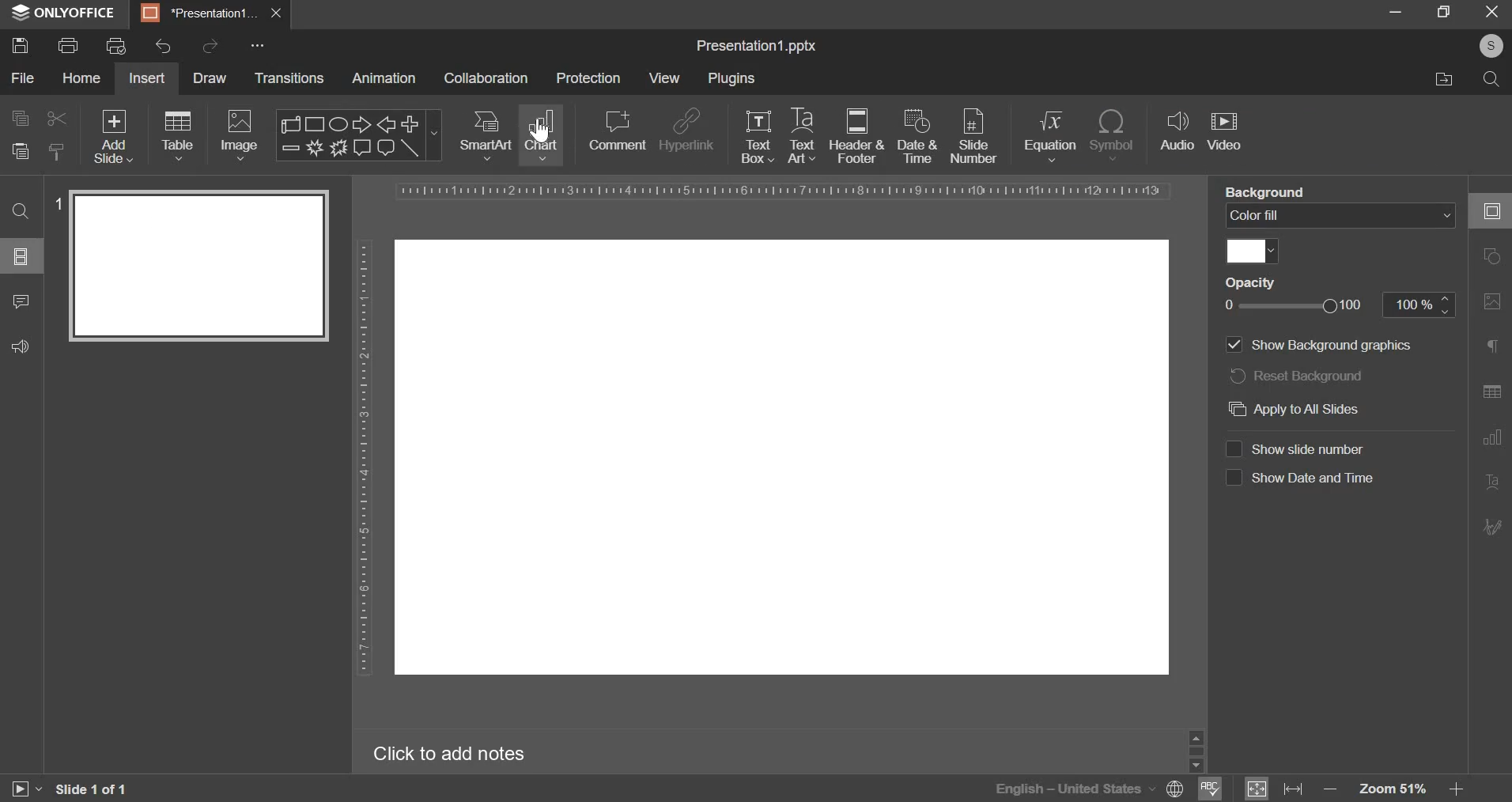 The height and width of the screenshot is (802, 1512). Describe the element at coordinates (262, 47) in the screenshot. I see `more options` at that location.